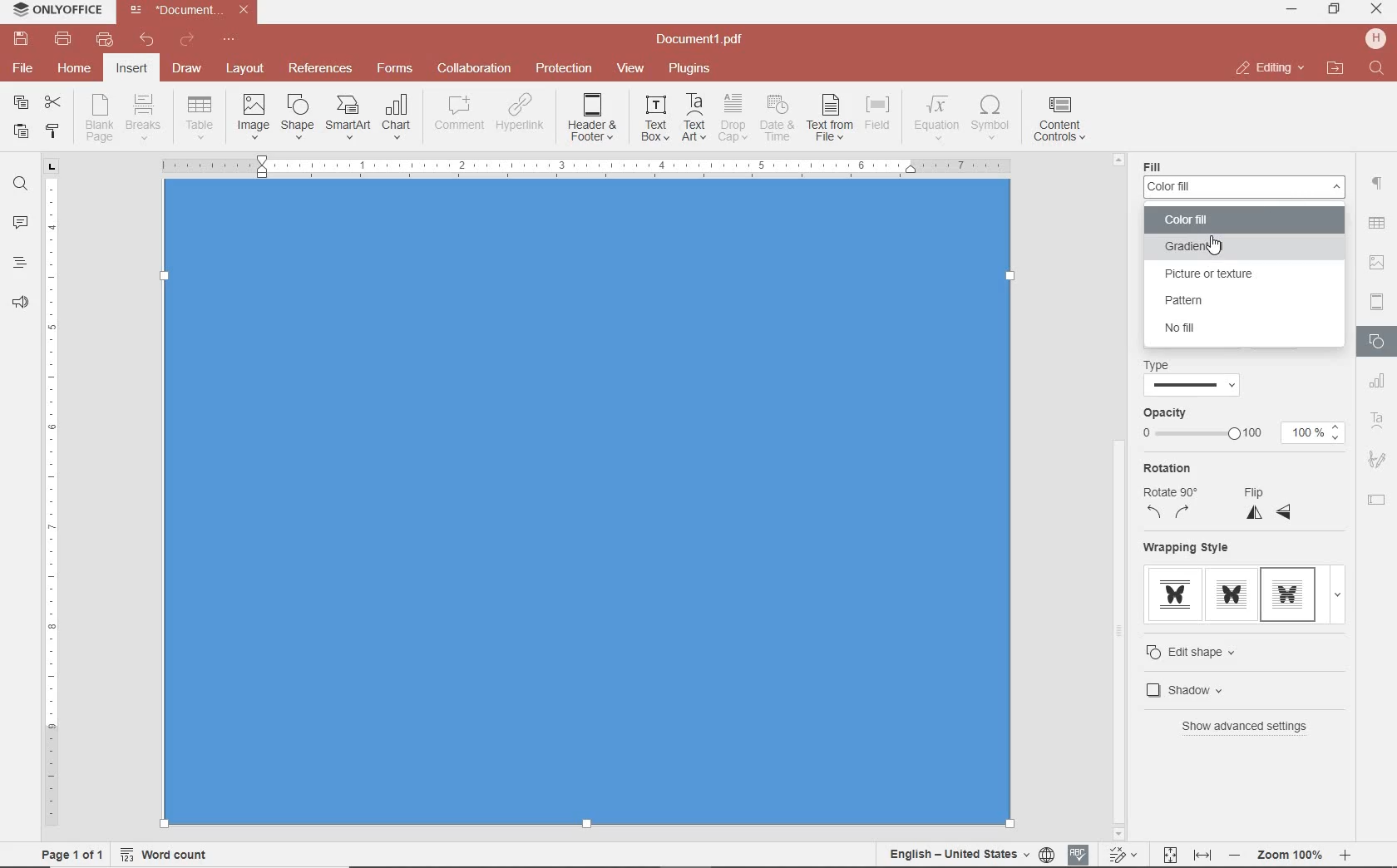  Describe the element at coordinates (1379, 38) in the screenshot. I see `hp` at that location.